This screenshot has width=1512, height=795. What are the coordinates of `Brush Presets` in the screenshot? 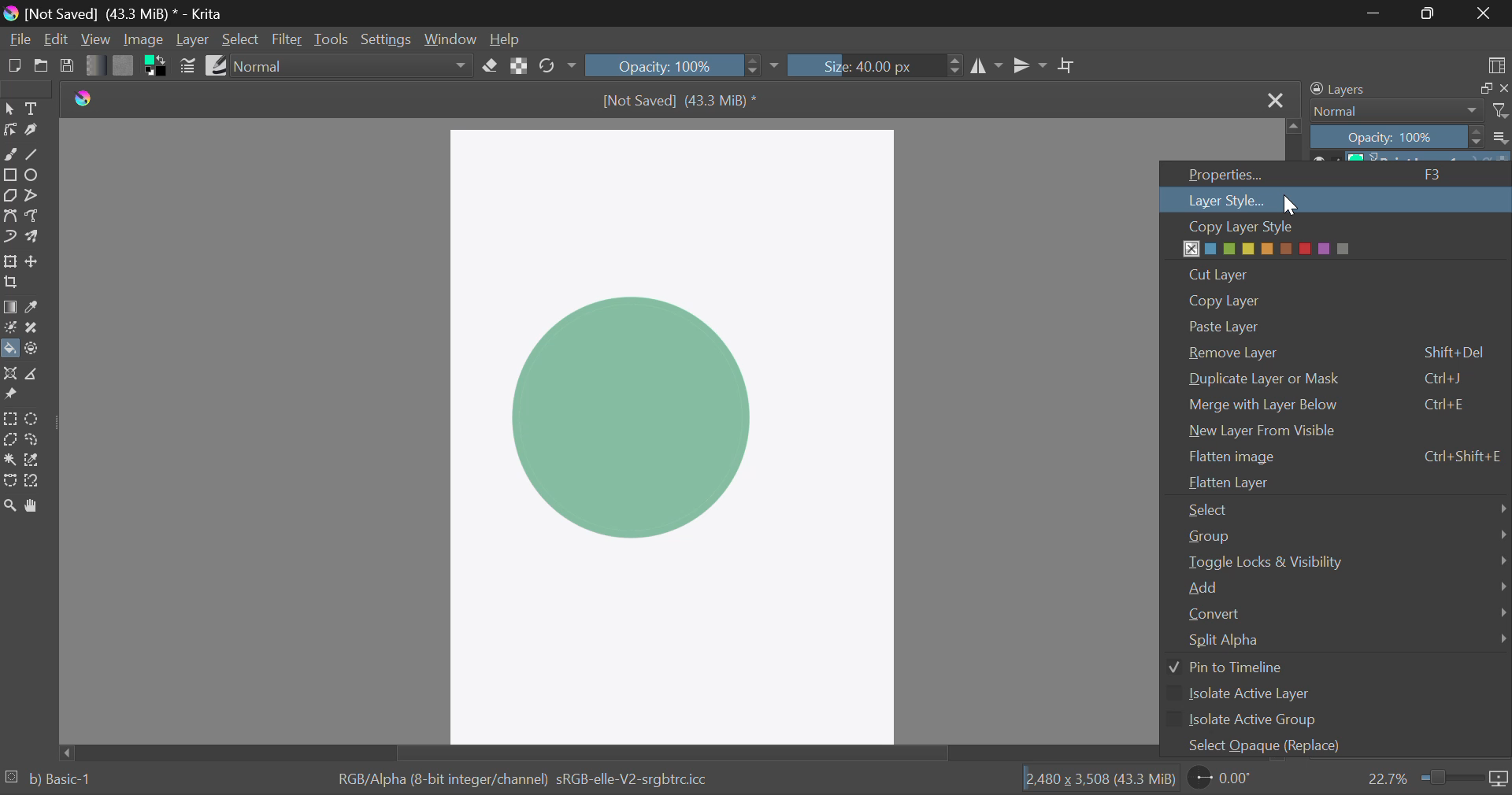 It's located at (217, 65).